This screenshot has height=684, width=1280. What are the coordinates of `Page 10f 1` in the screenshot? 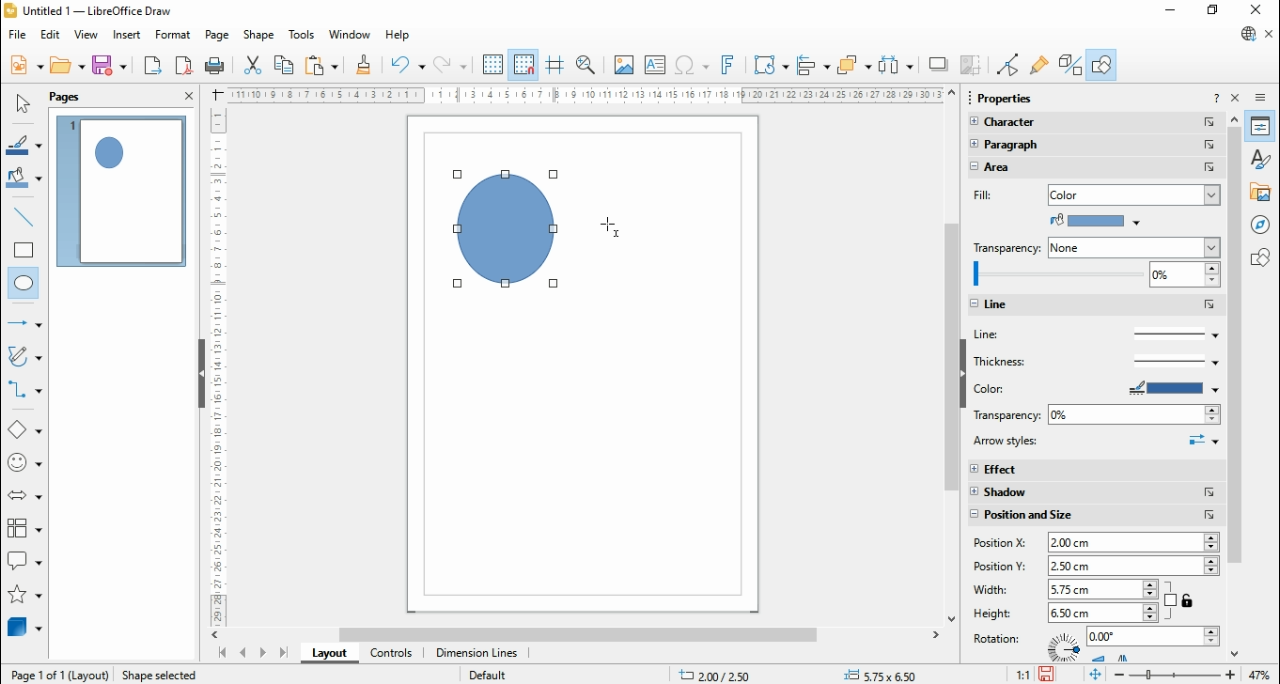 It's located at (41, 674).